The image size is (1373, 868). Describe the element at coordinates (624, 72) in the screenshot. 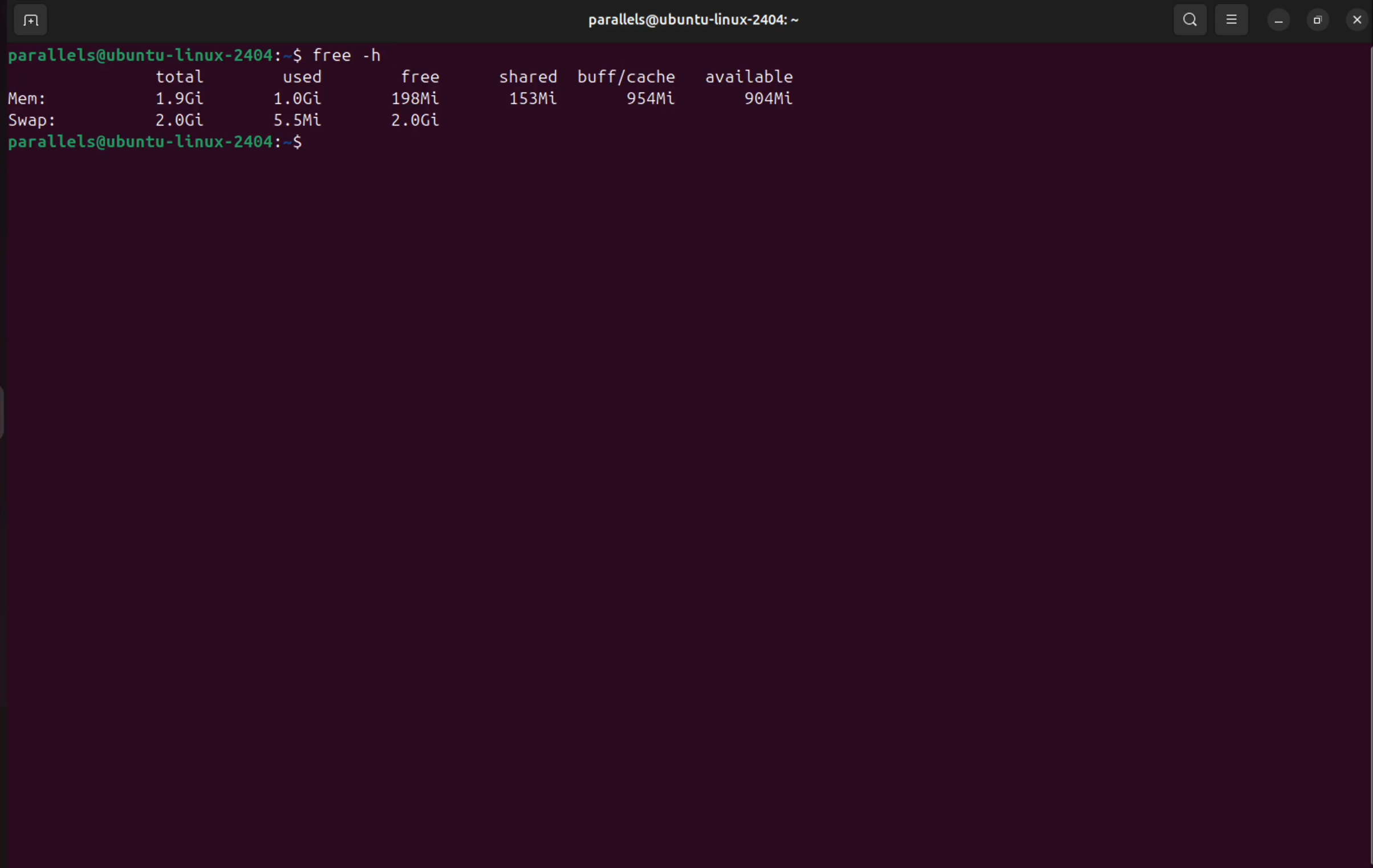

I see `buff cache` at that location.